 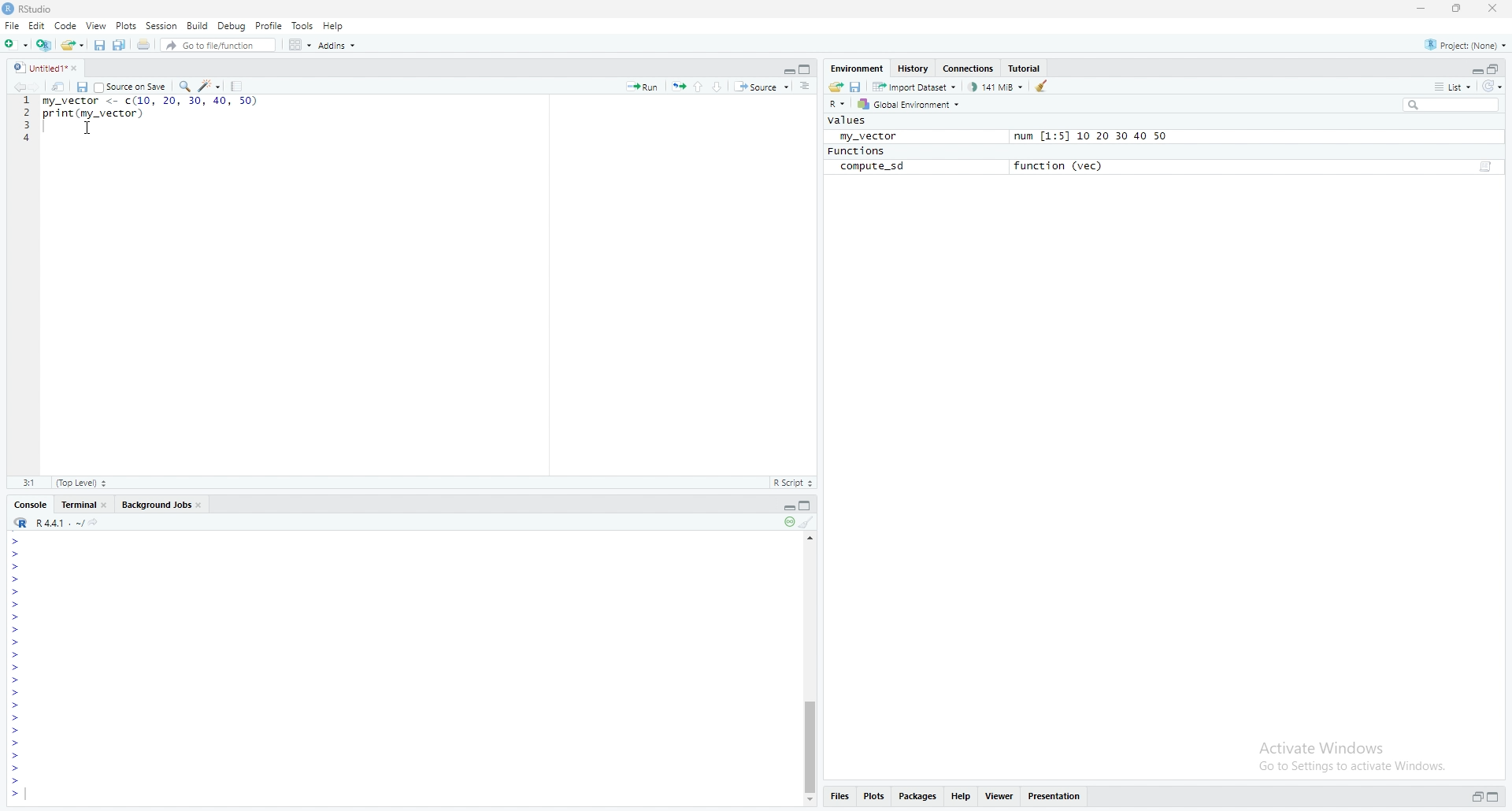 What do you see at coordinates (792, 482) in the screenshot?
I see `R Script` at bounding box center [792, 482].